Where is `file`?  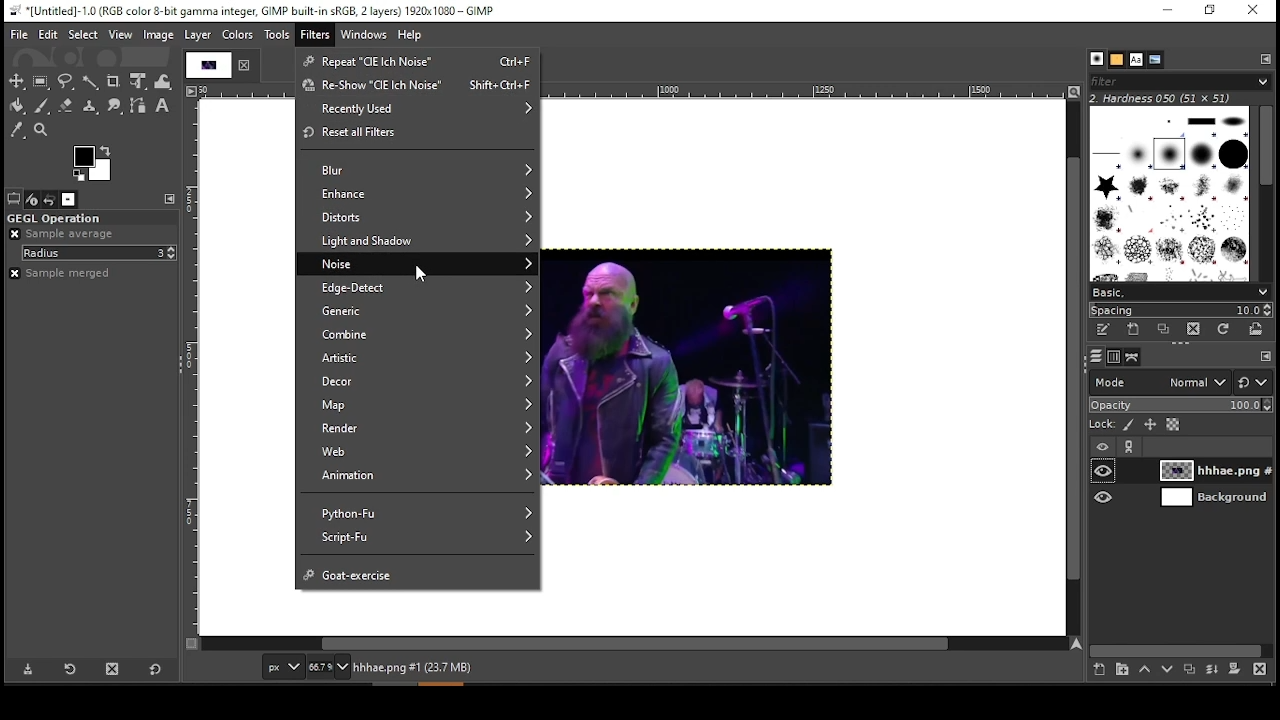 file is located at coordinates (17, 34).